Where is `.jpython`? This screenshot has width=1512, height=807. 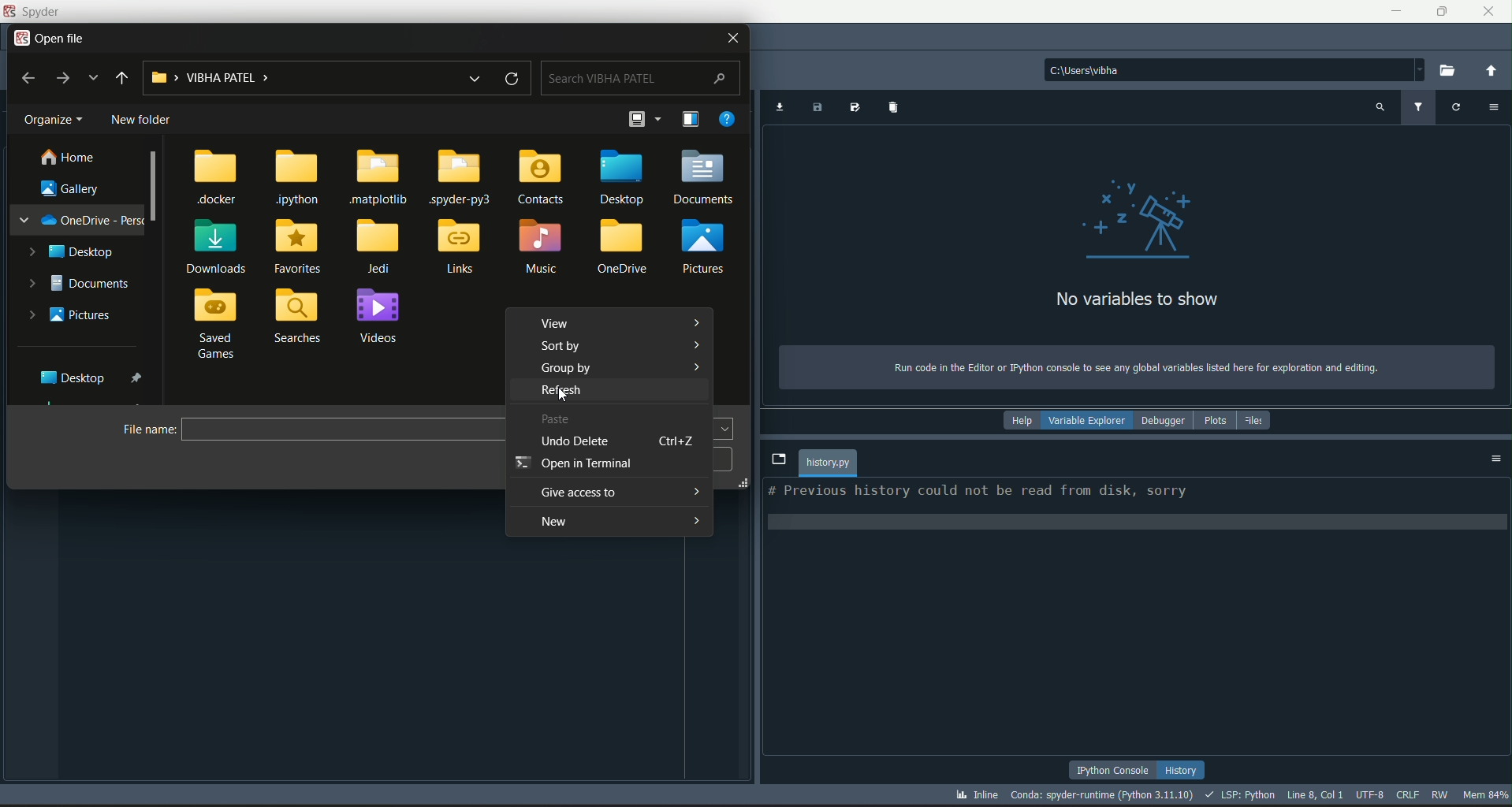 .jpython is located at coordinates (298, 177).